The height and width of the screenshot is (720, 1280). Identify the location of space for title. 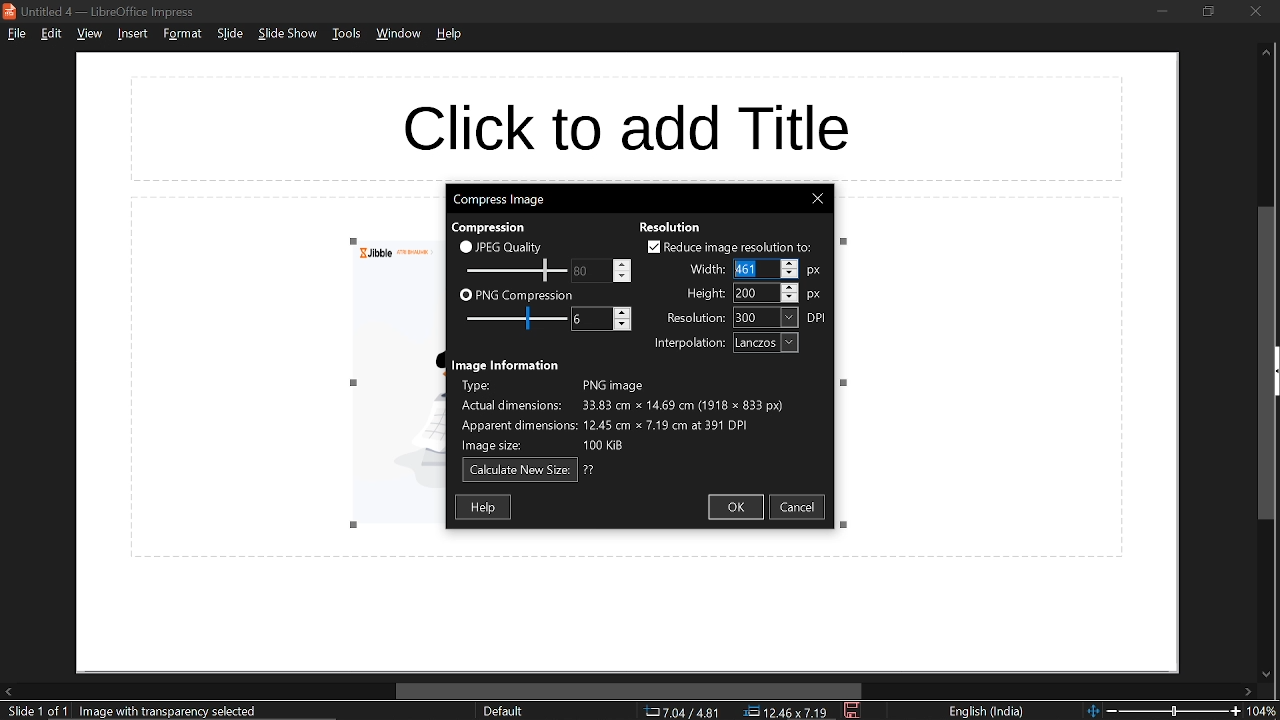
(646, 122).